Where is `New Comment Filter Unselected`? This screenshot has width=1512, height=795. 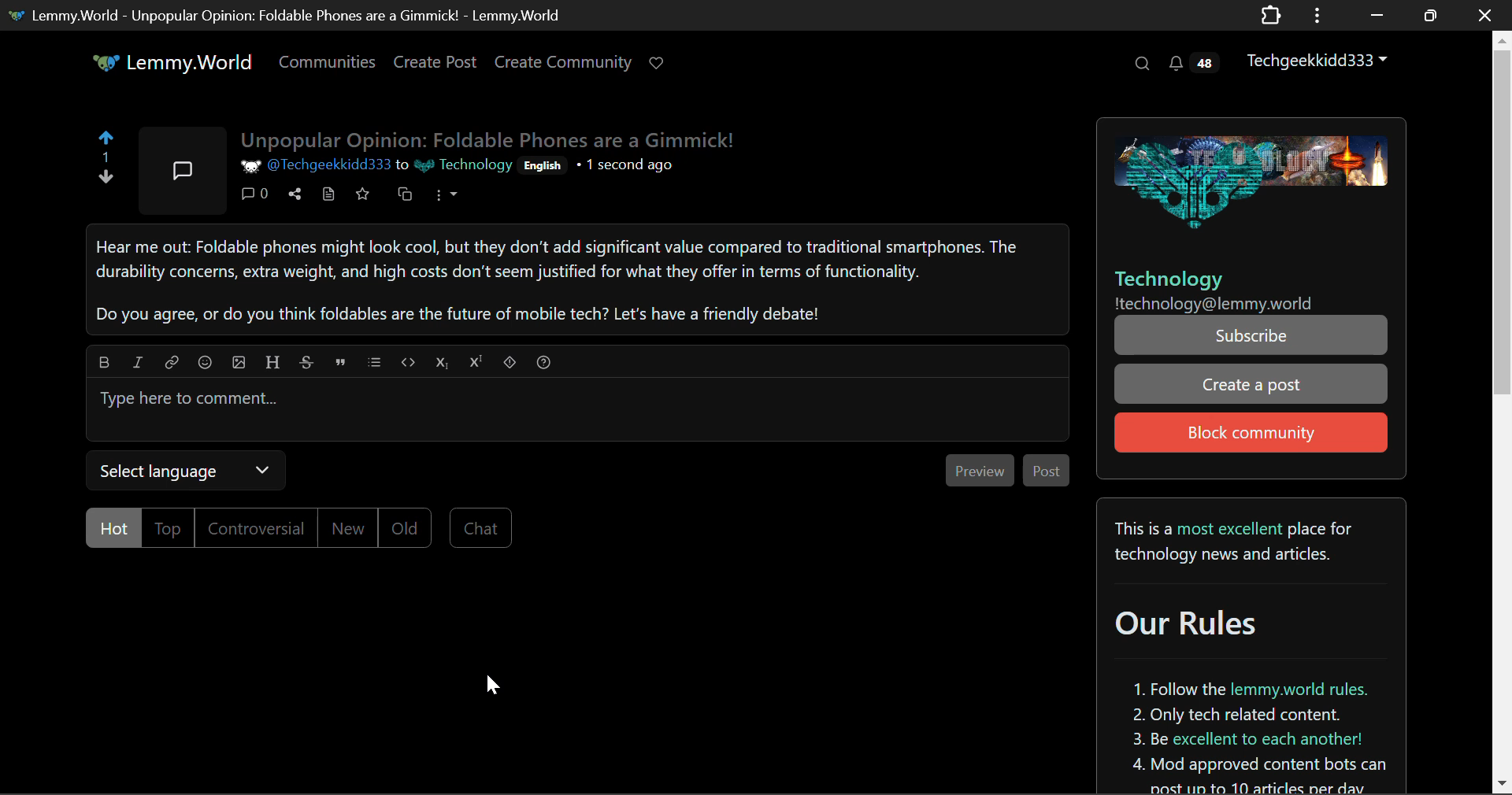 New Comment Filter Unselected is located at coordinates (346, 527).